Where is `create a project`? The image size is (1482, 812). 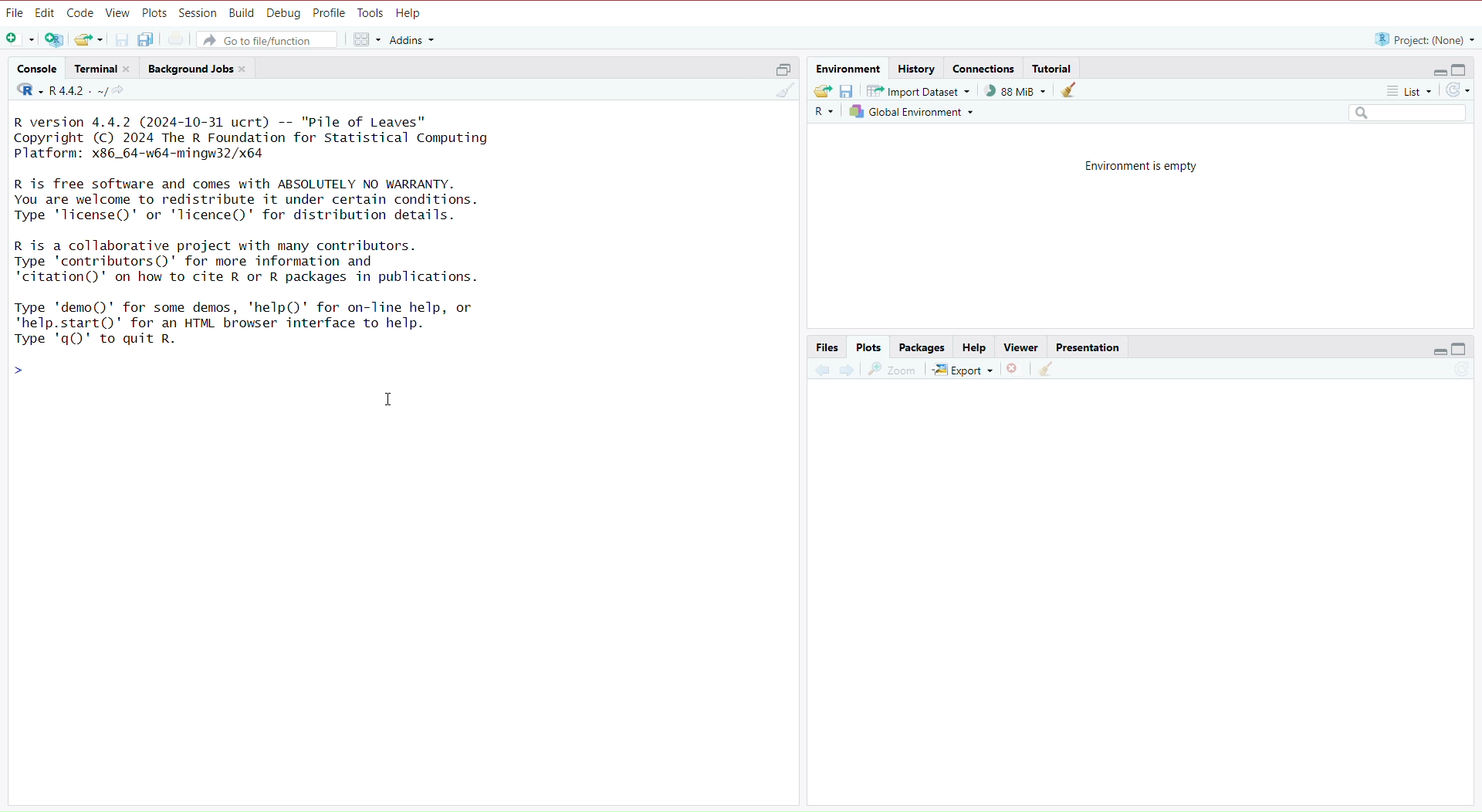 create a project is located at coordinates (55, 41).